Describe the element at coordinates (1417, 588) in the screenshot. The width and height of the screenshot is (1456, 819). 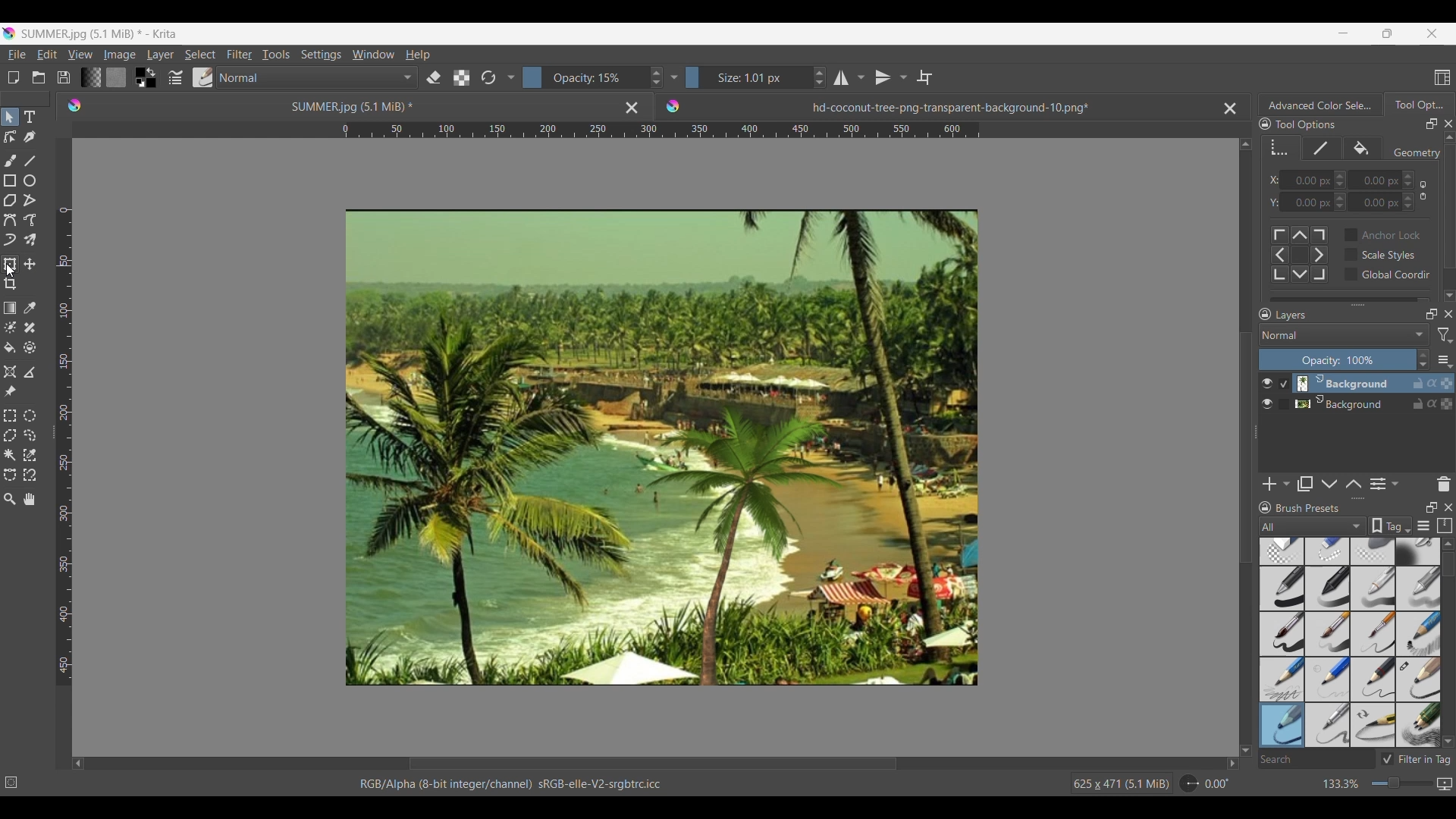
I see `basic 4-flow opacity` at that location.